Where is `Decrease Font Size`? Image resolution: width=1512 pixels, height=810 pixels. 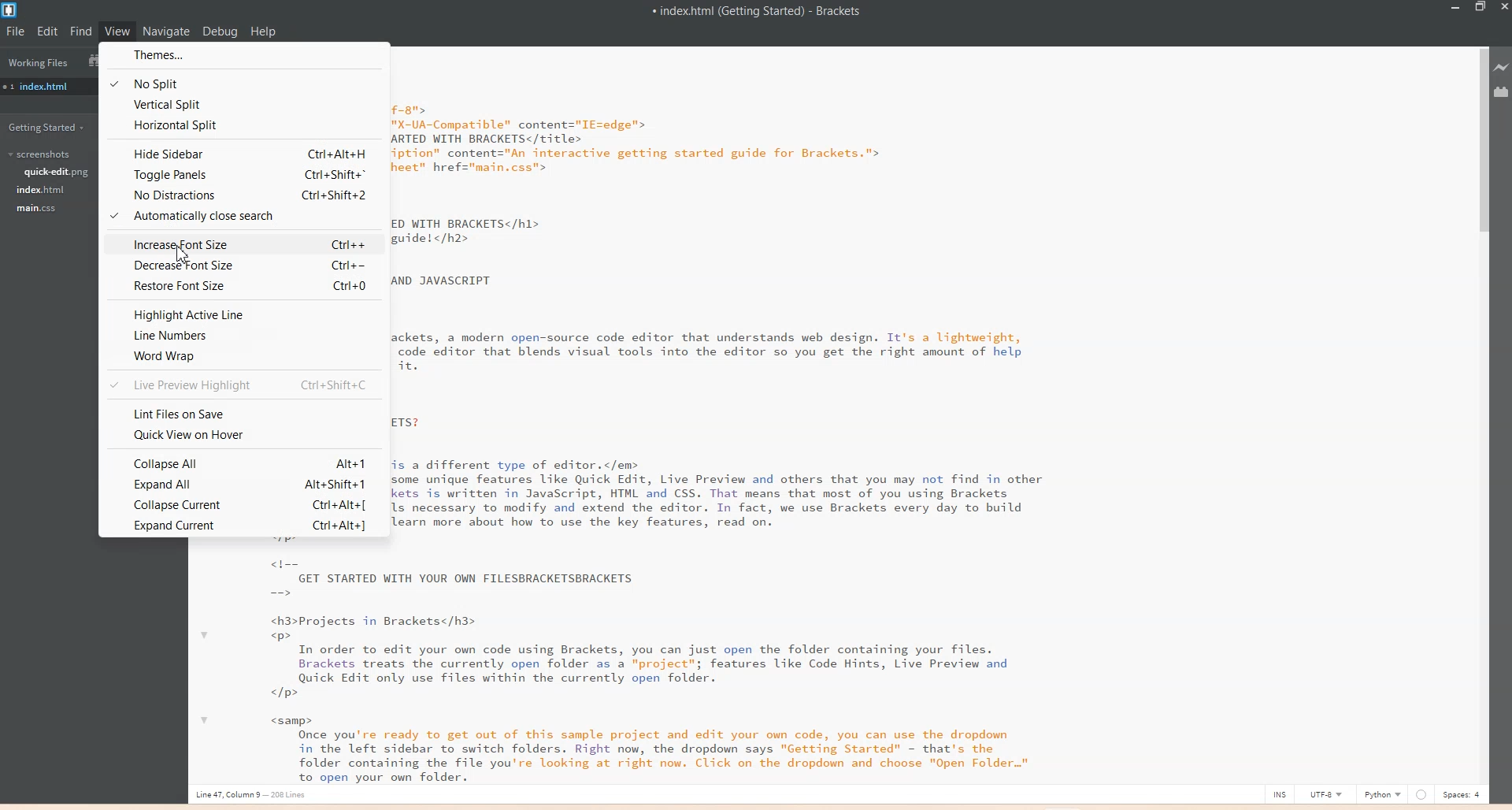
Decrease Font Size is located at coordinates (243, 266).